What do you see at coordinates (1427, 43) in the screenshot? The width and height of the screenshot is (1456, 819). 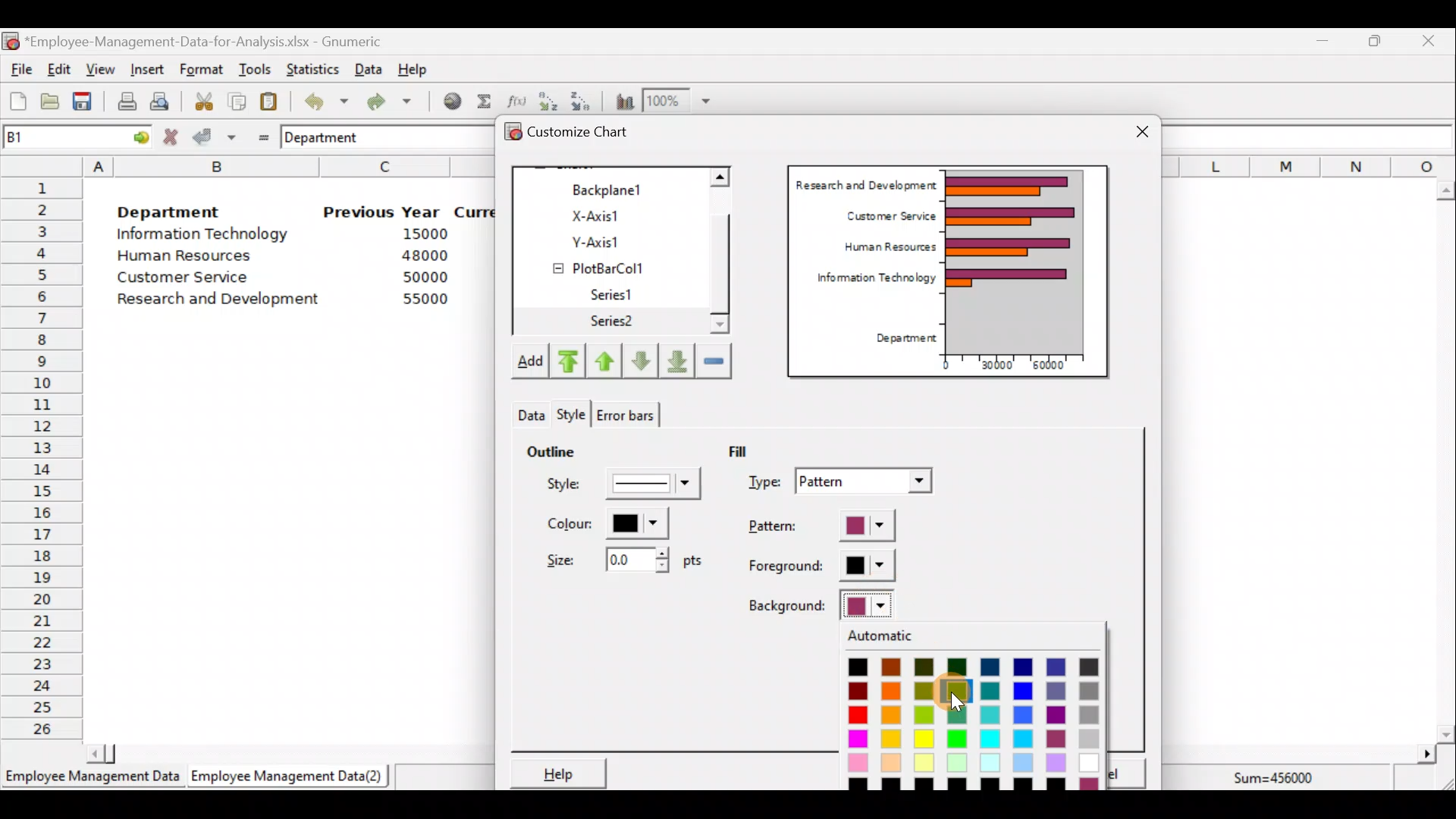 I see `Close` at bounding box center [1427, 43].